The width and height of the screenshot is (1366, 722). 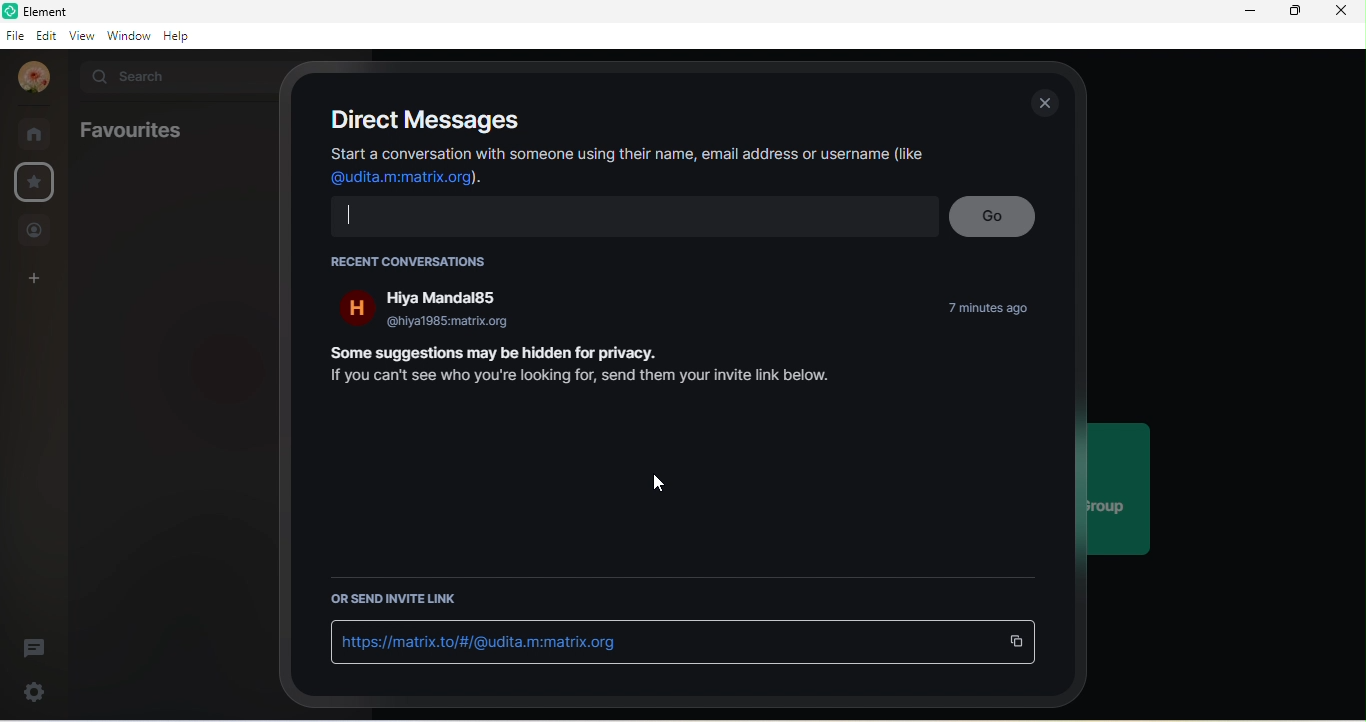 What do you see at coordinates (484, 641) in the screenshot?
I see `https://matrix.to/#/@udita.m:matrix.org` at bounding box center [484, 641].